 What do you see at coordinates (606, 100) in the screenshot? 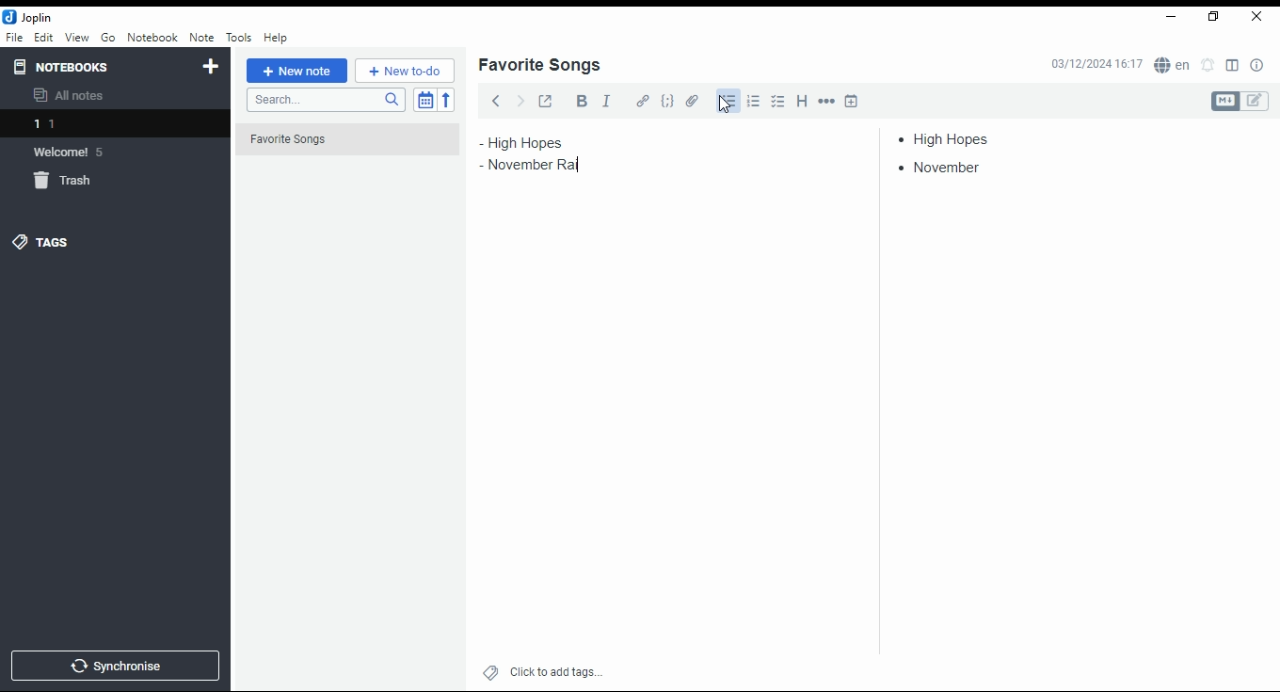
I see `italics` at bounding box center [606, 100].